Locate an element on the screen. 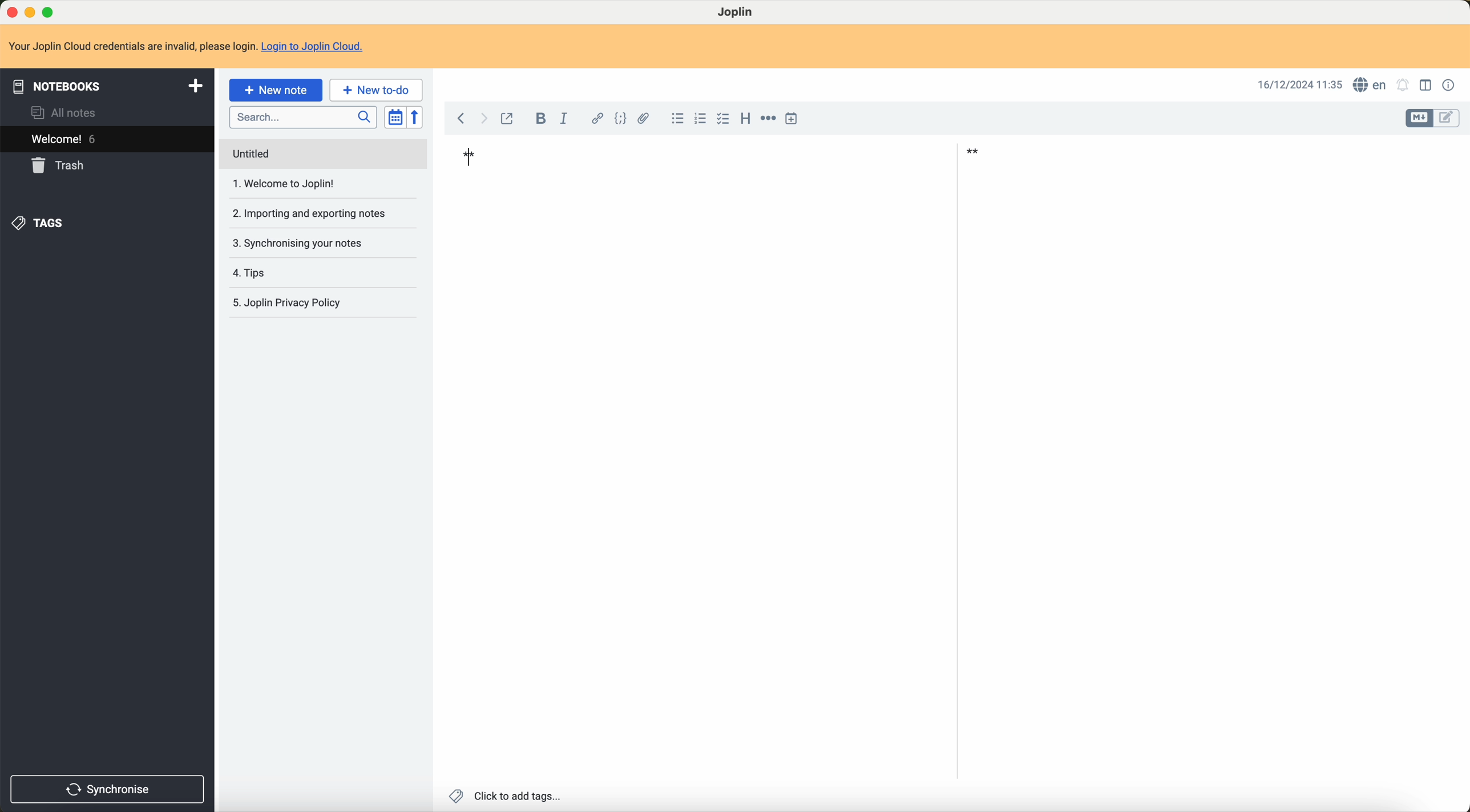 This screenshot has height=812, width=1470. italic is located at coordinates (565, 116).